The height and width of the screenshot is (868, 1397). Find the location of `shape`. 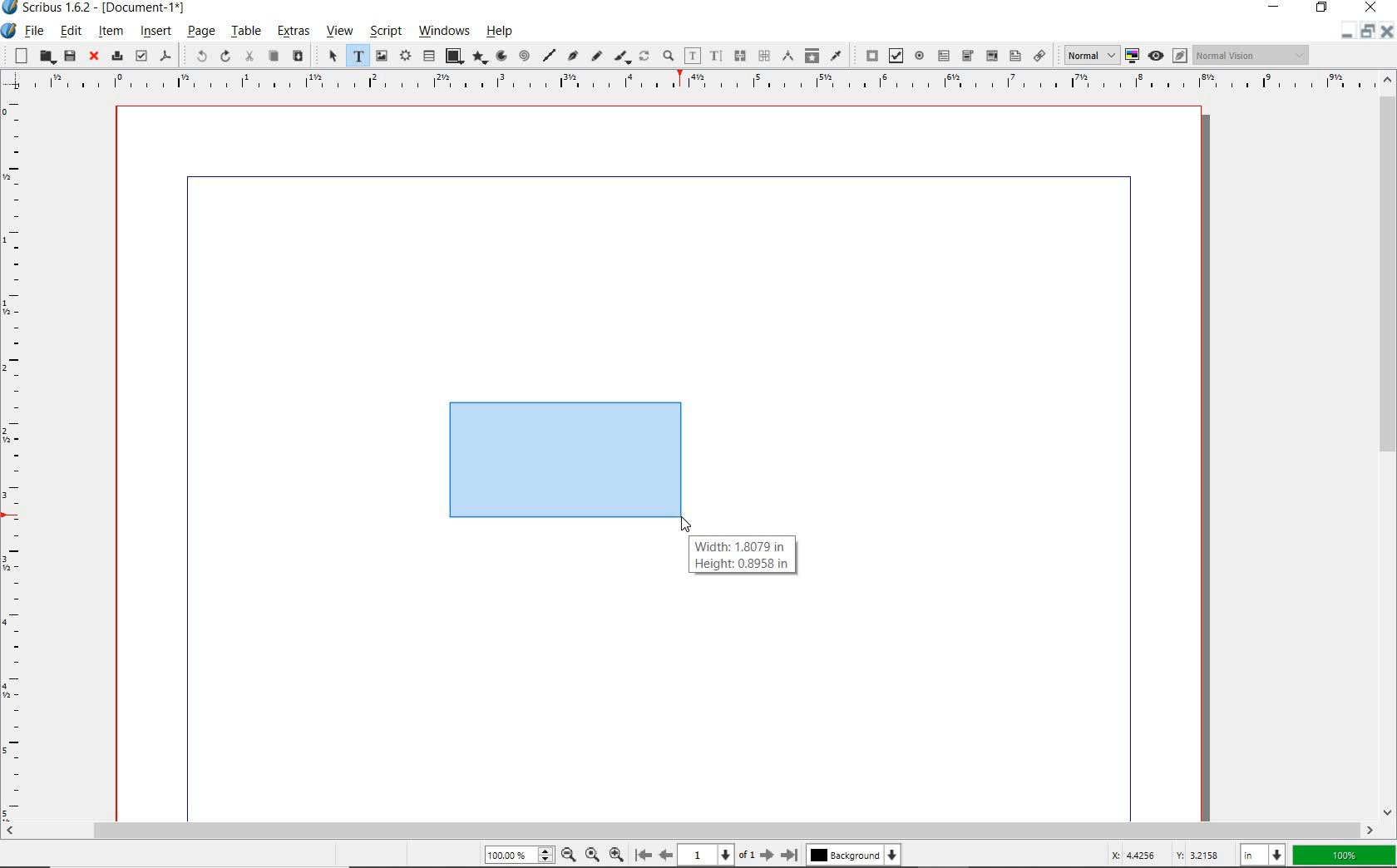

shape is located at coordinates (453, 55).